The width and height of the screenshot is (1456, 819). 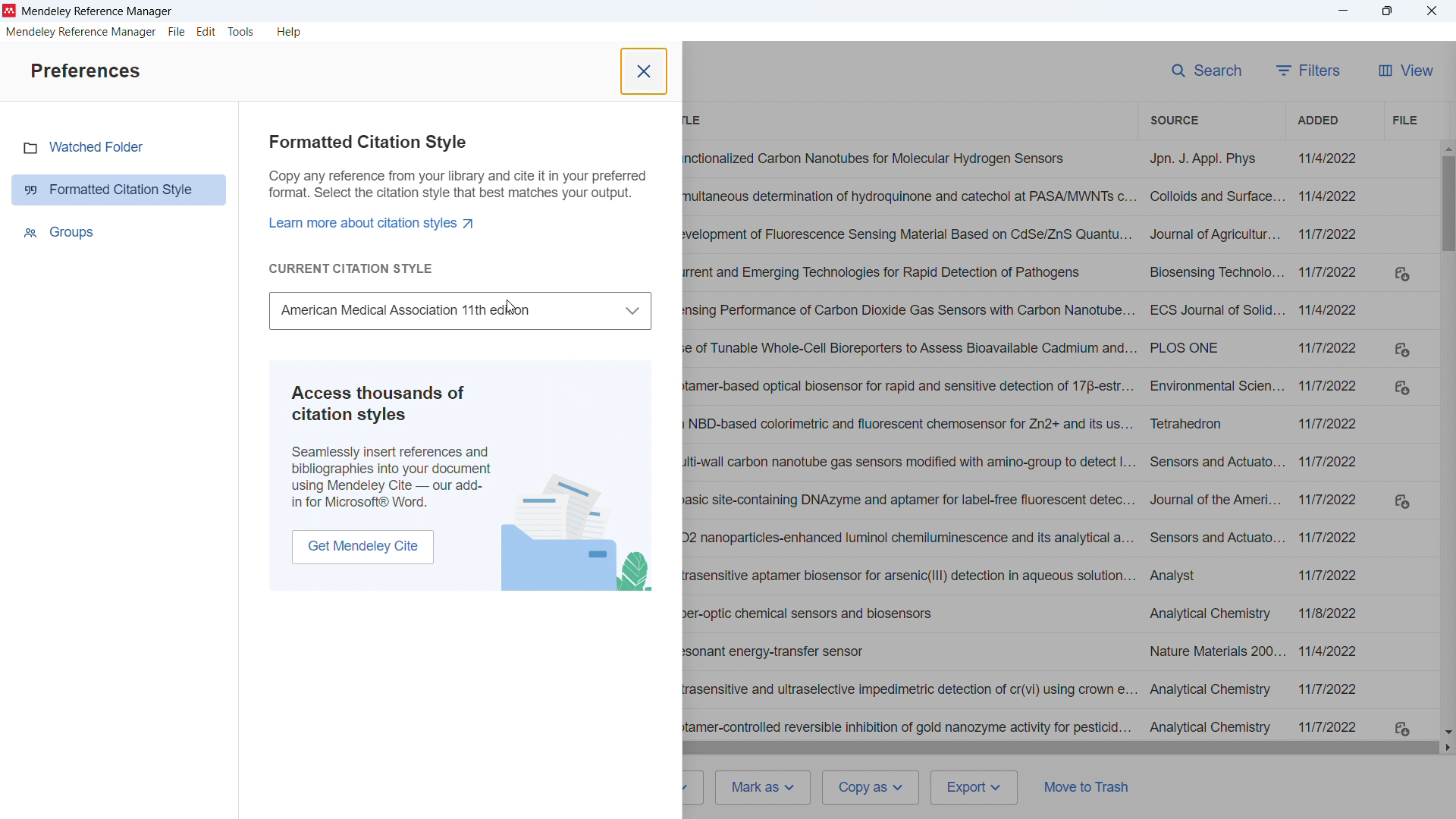 What do you see at coordinates (1430, 10) in the screenshot?
I see `Close ` at bounding box center [1430, 10].